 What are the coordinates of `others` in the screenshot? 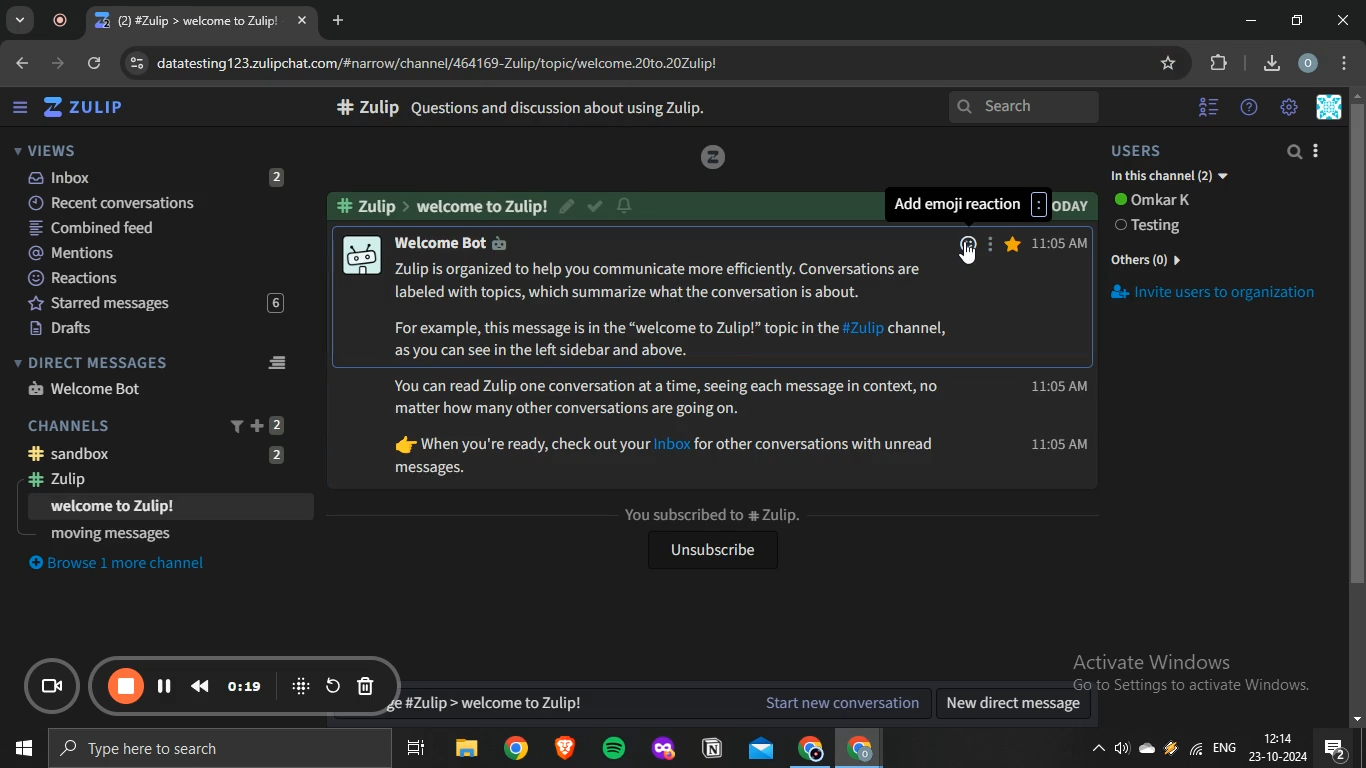 It's located at (1150, 257).